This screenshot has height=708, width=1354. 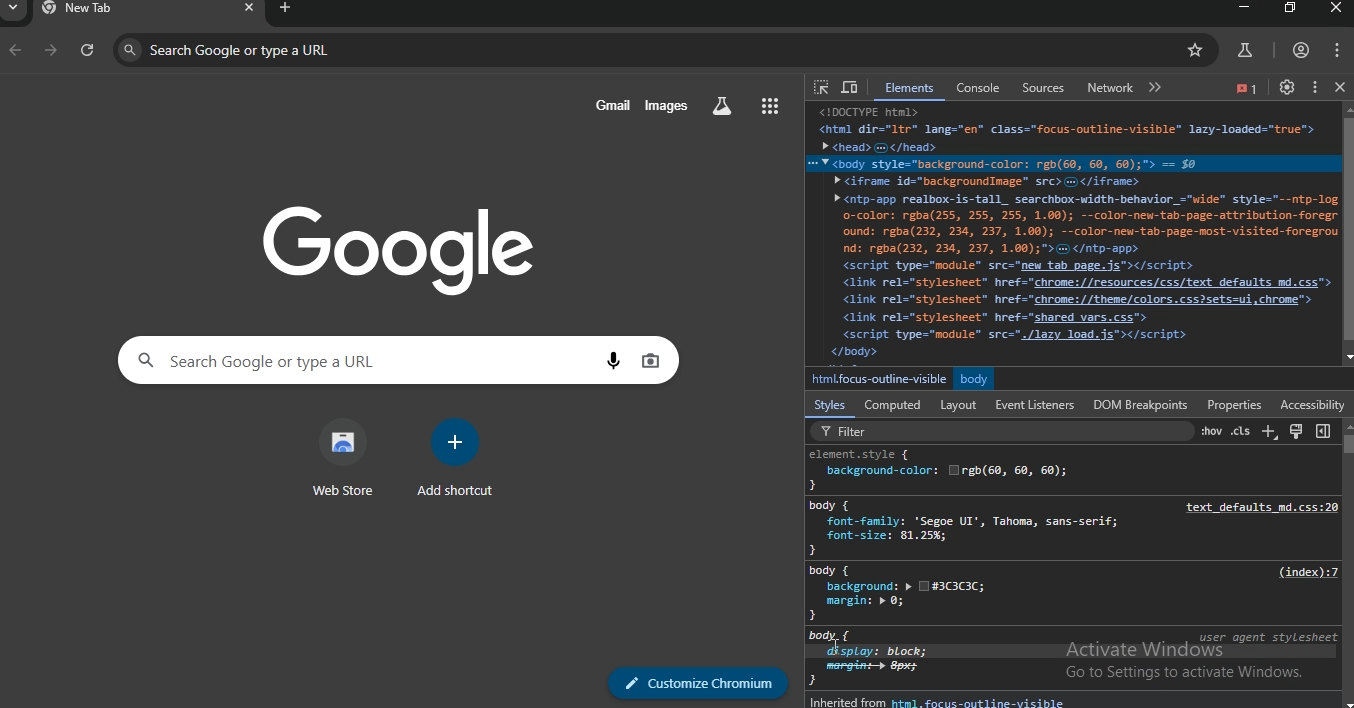 What do you see at coordinates (15, 50) in the screenshot?
I see `backward` at bounding box center [15, 50].